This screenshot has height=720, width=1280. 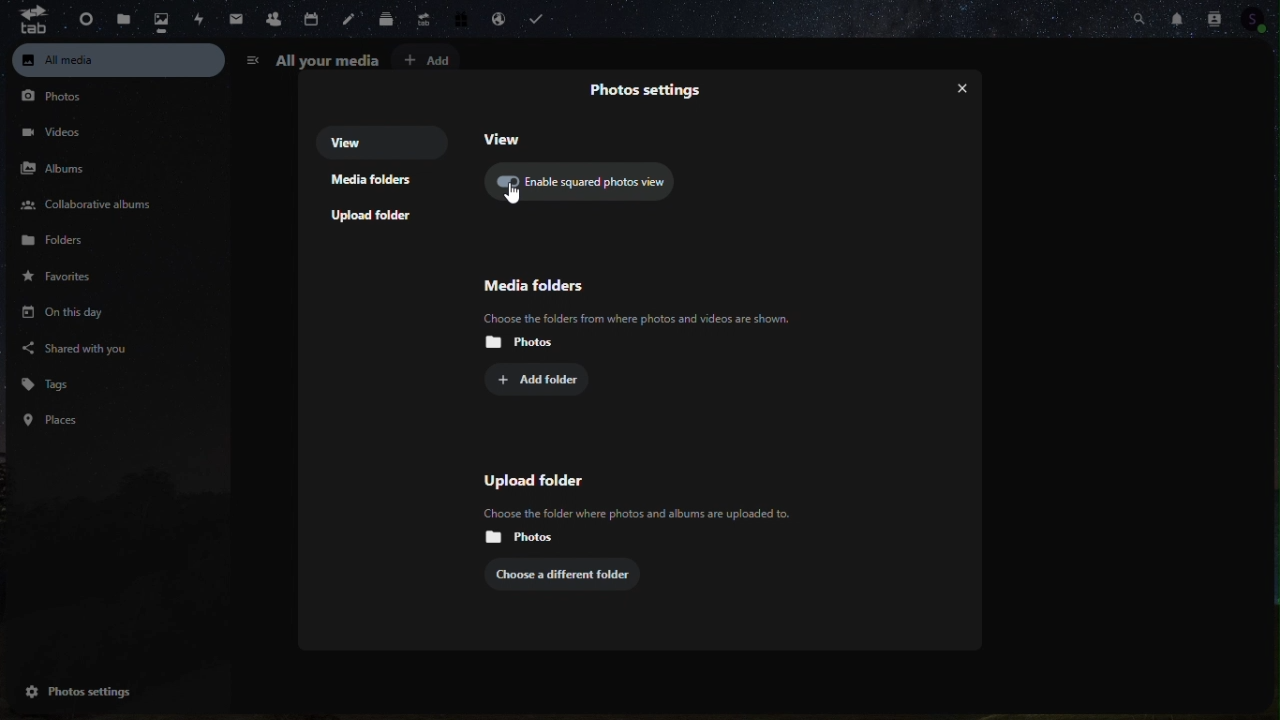 I want to click on calendar, so click(x=313, y=20).